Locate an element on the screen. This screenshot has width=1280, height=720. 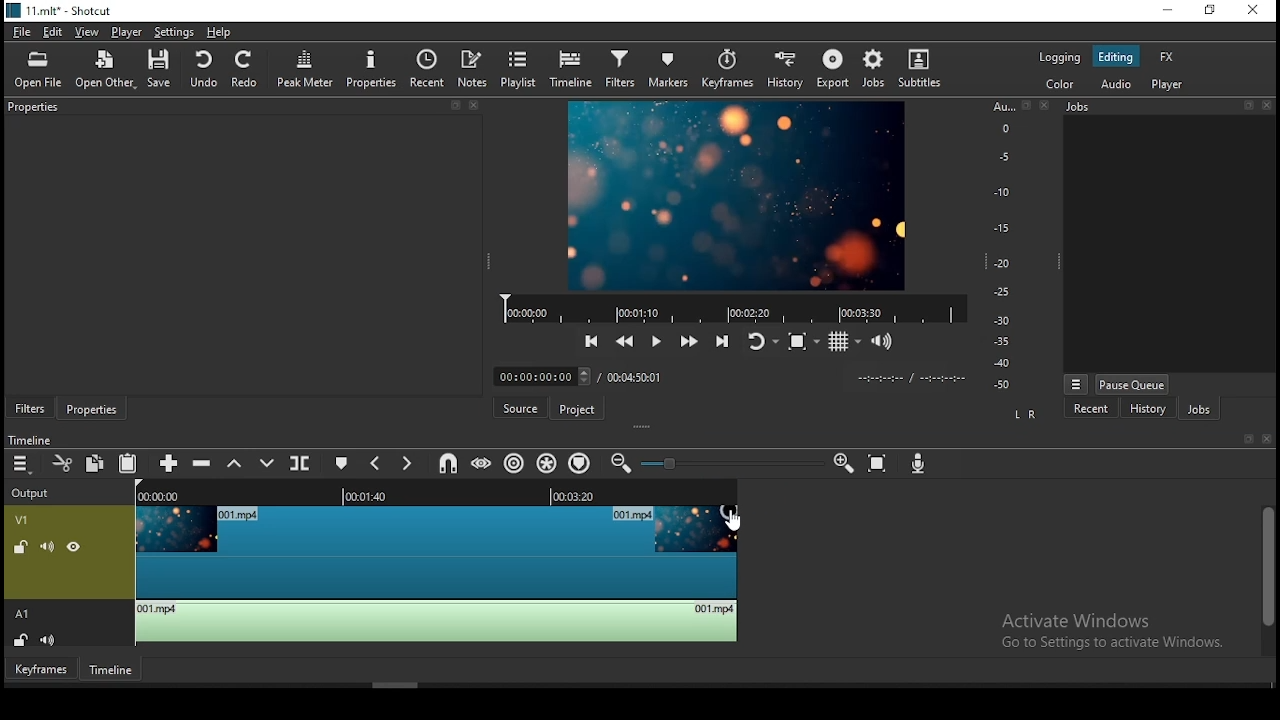
zoom timeline is located at coordinates (843, 463).